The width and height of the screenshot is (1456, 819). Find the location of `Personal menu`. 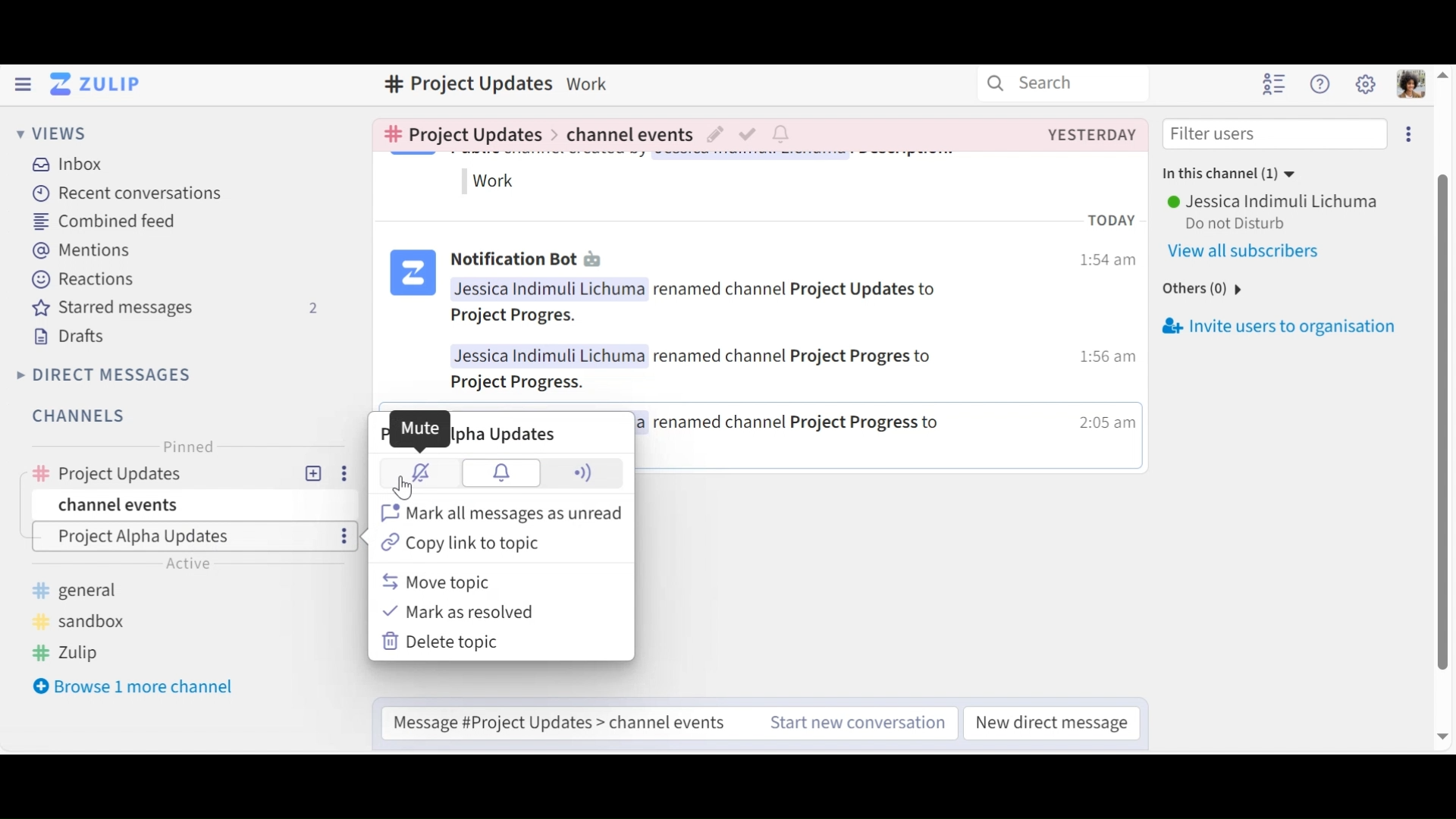

Personal menu is located at coordinates (1413, 83).